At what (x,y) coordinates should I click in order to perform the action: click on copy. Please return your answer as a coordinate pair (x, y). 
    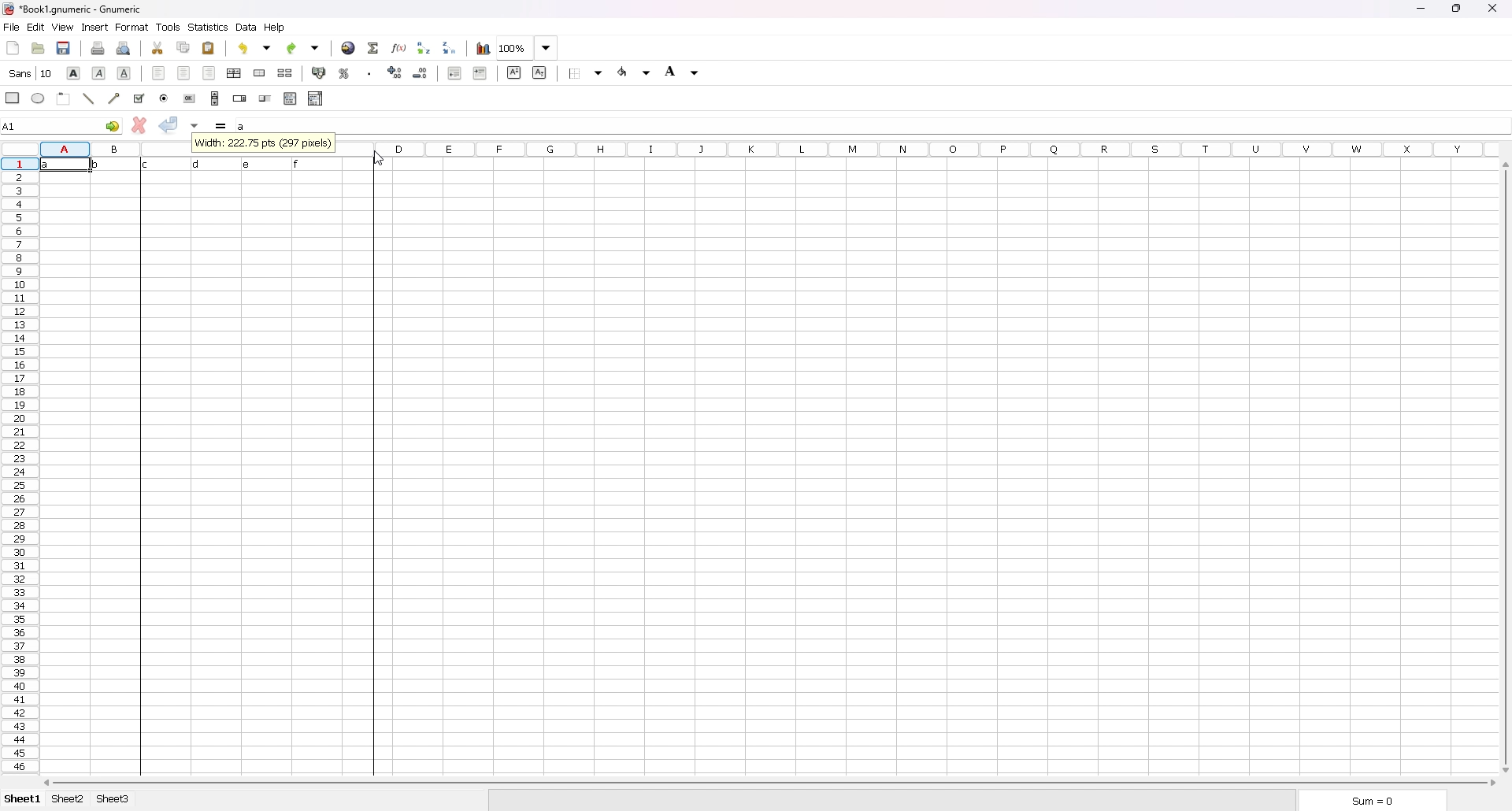
    Looking at the image, I should click on (183, 47).